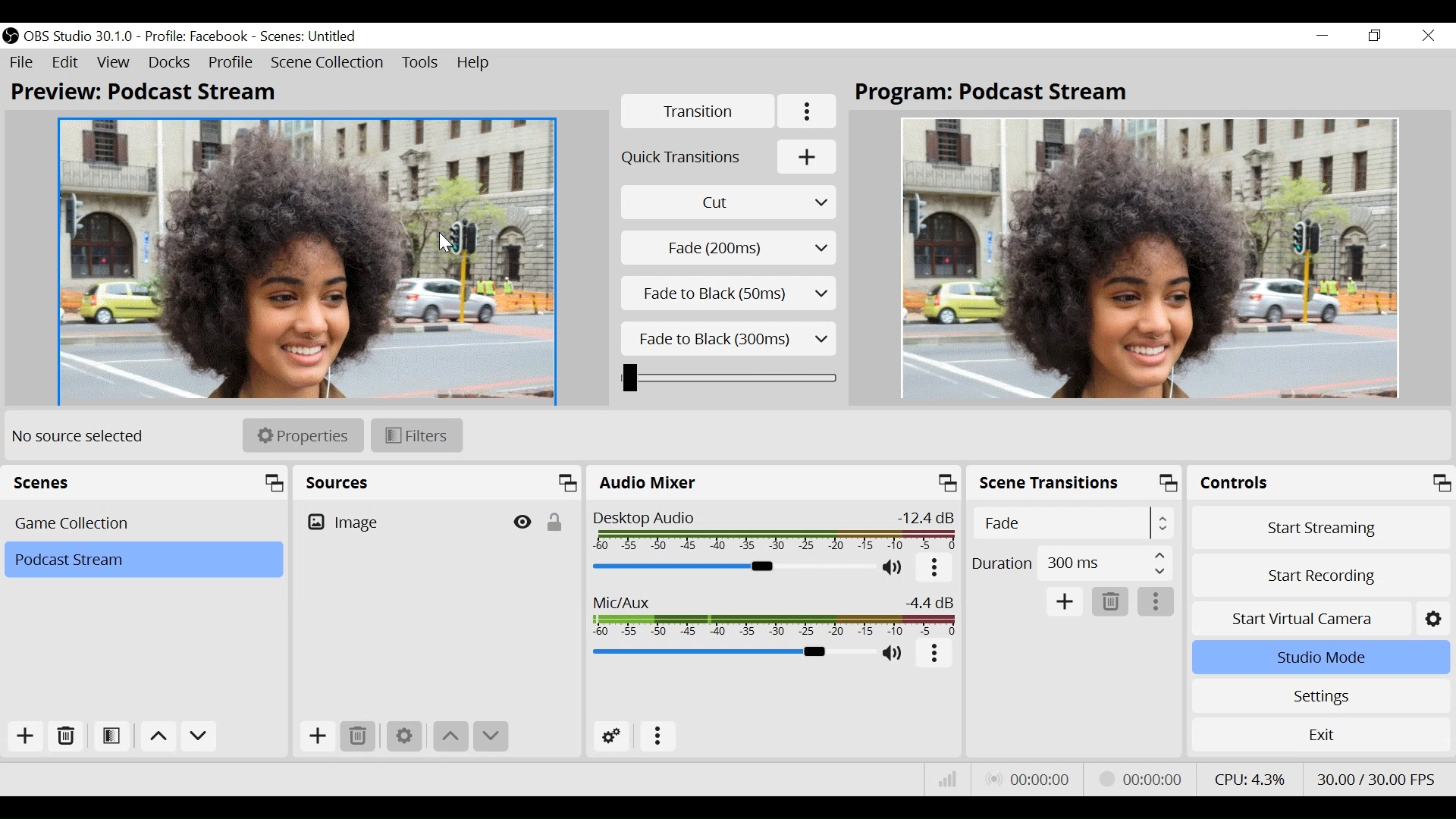 This screenshot has width=1456, height=819. Describe the element at coordinates (475, 64) in the screenshot. I see `Help` at that location.